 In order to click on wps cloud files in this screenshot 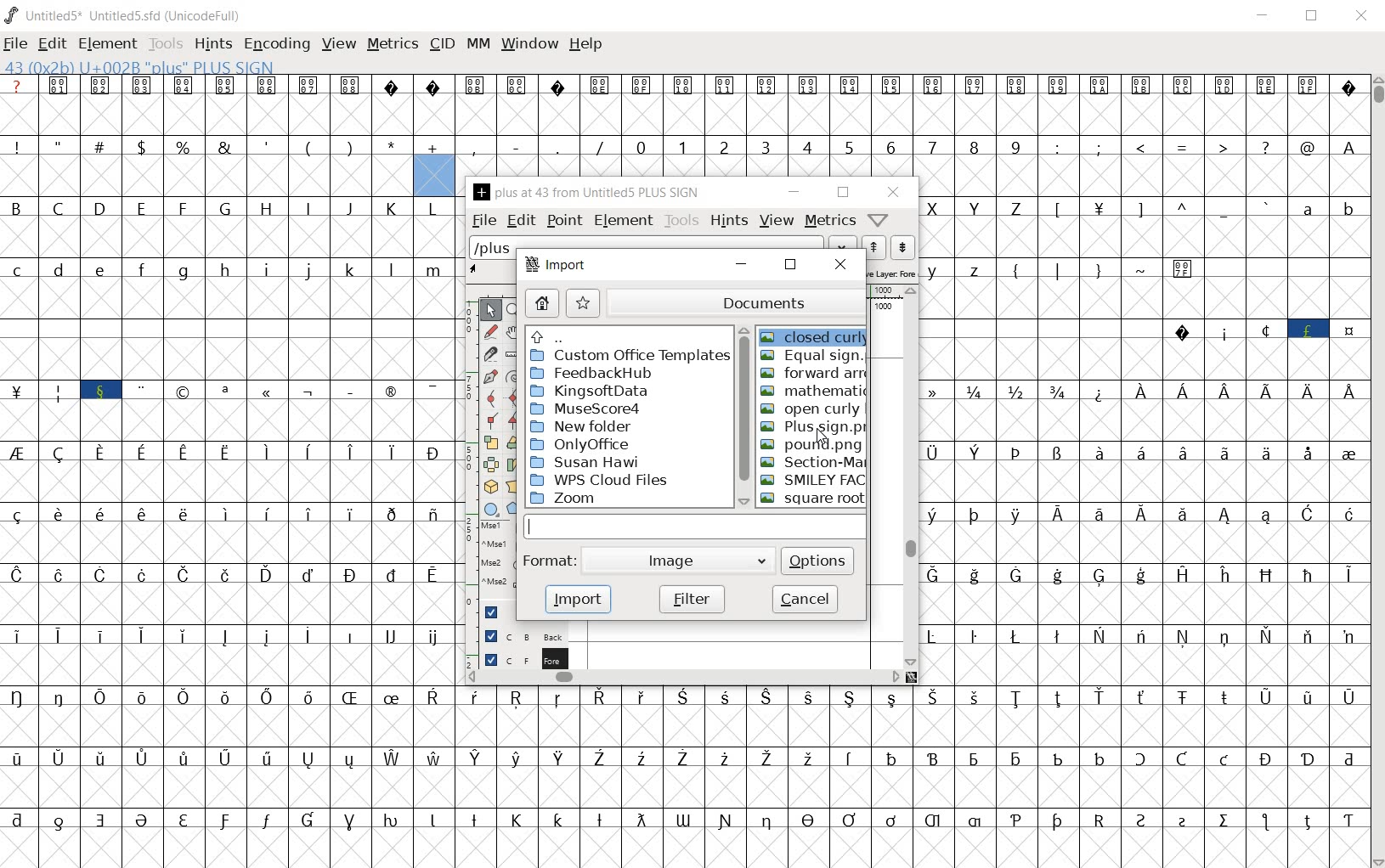, I will do `click(602, 479)`.